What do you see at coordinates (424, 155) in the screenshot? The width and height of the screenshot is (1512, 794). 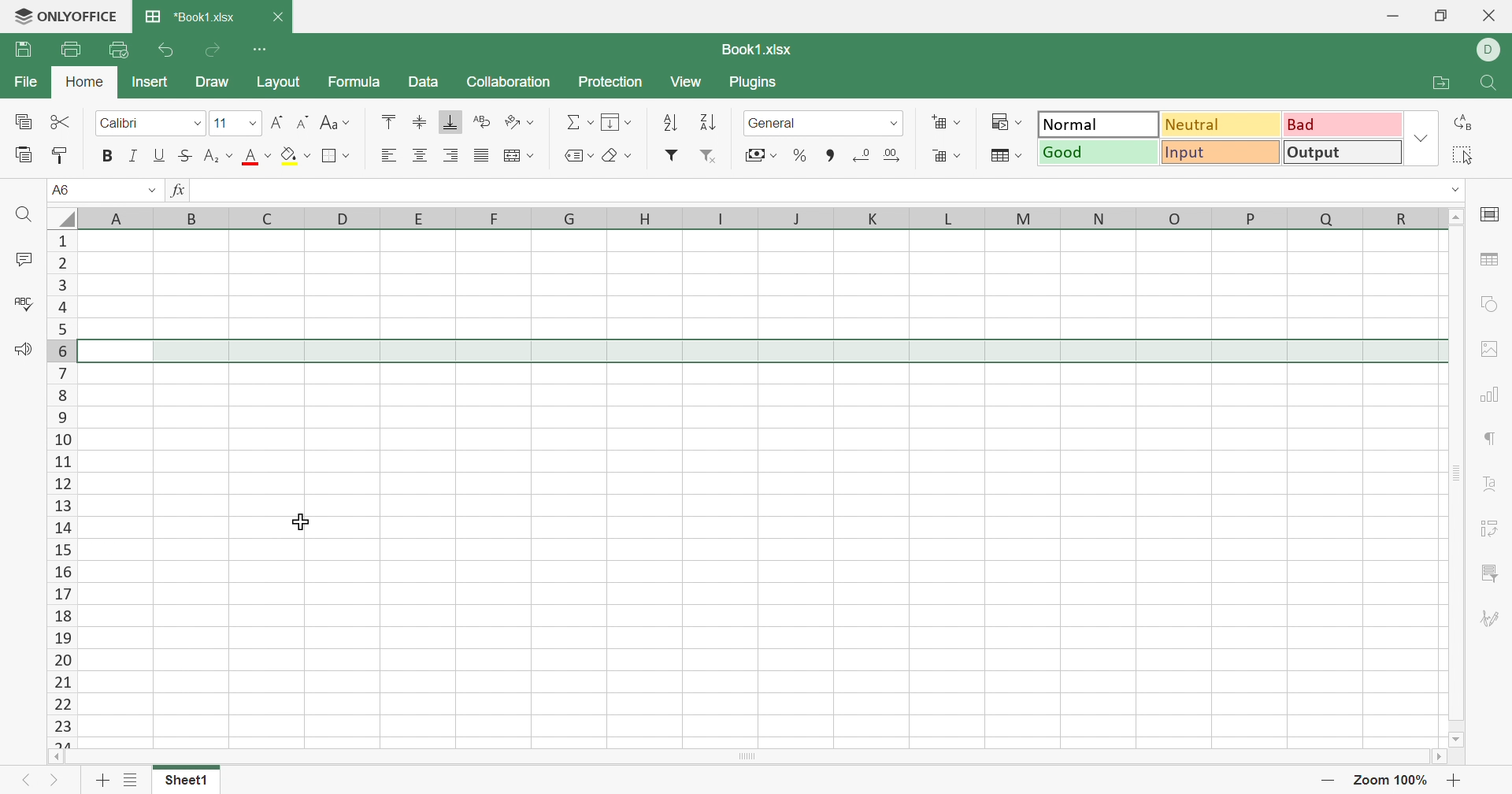 I see `Align Center` at bounding box center [424, 155].